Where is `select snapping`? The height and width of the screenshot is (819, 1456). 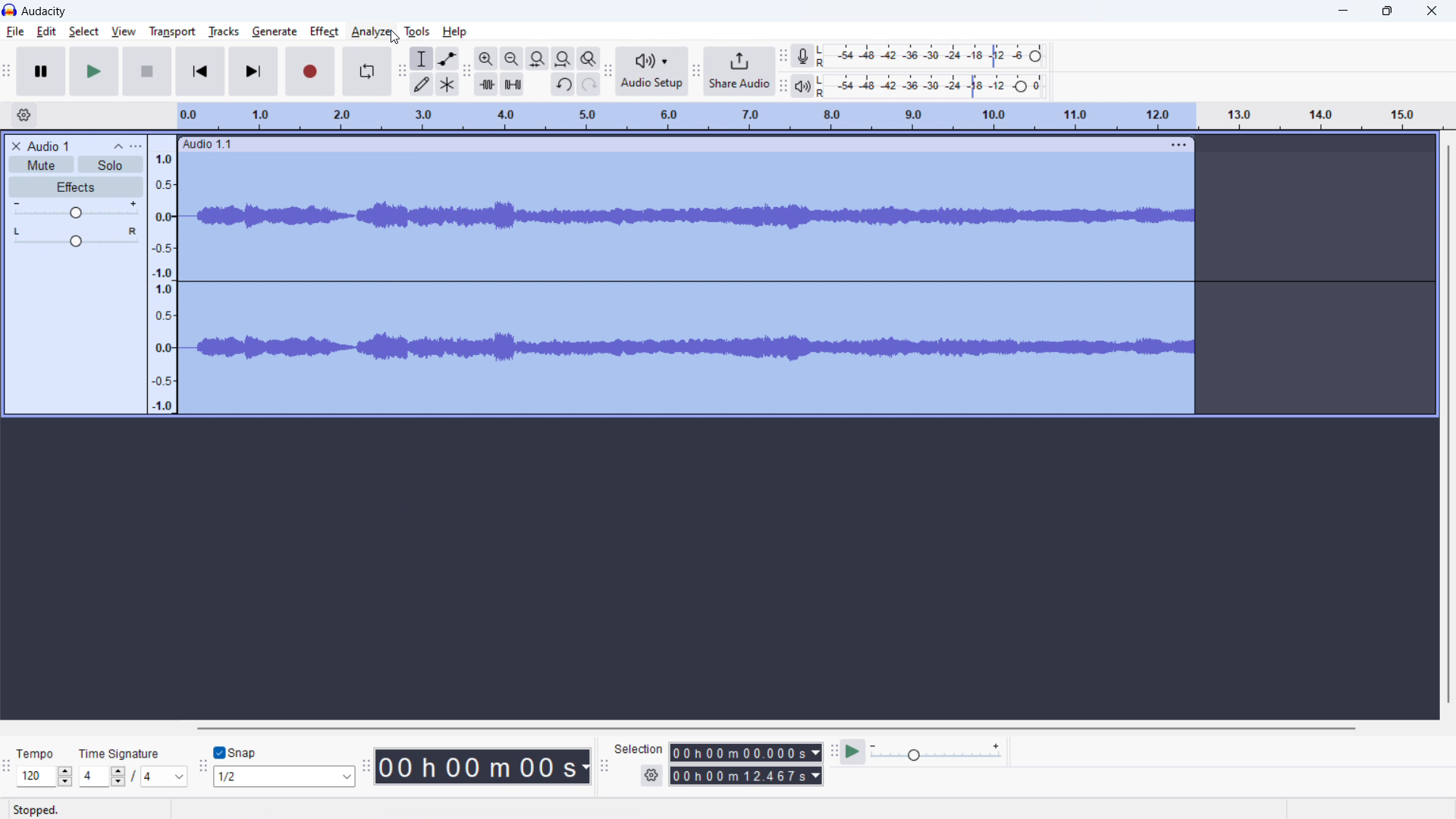
select snapping is located at coordinates (286, 776).